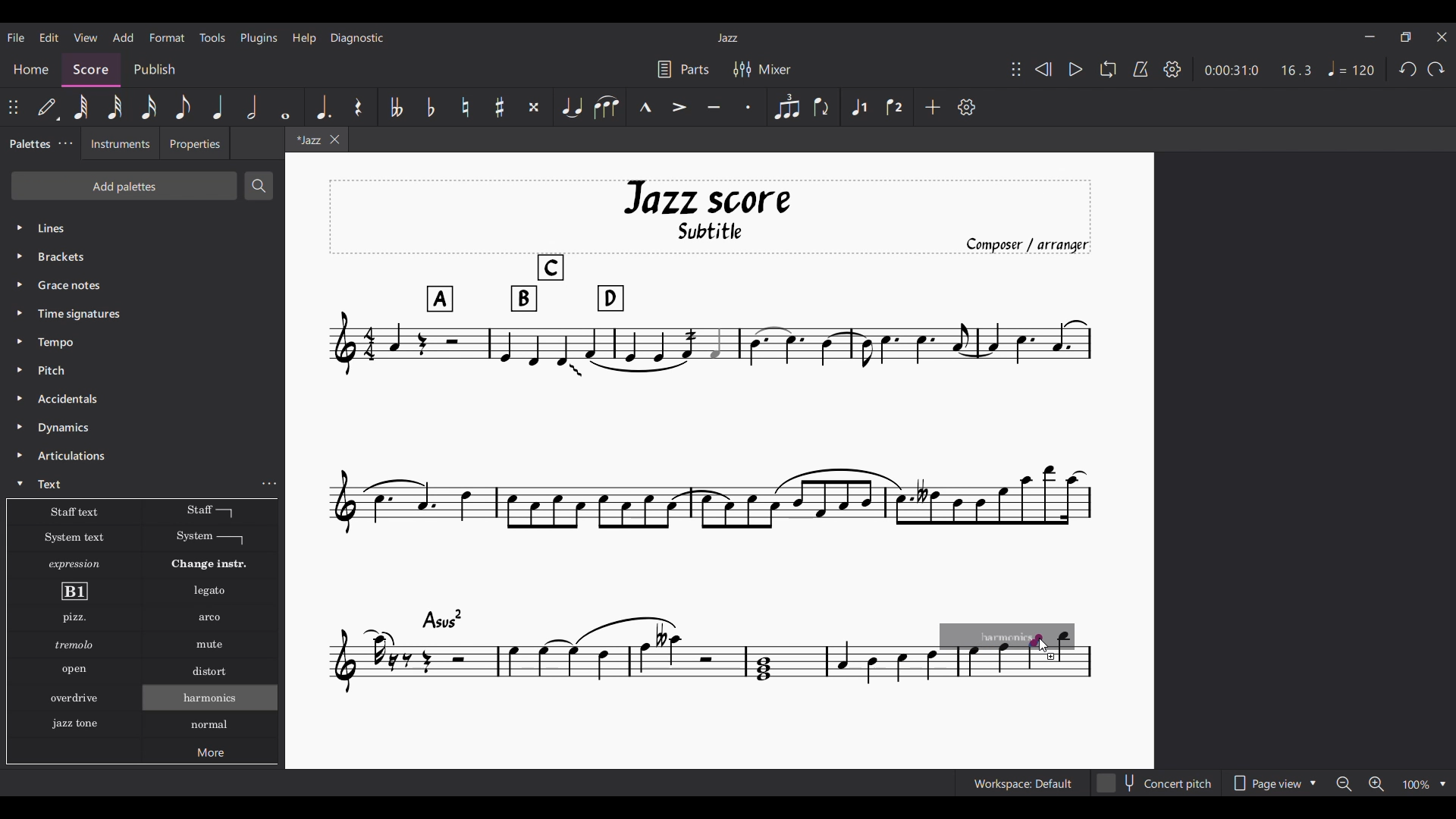 Image resolution: width=1456 pixels, height=819 pixels. I want to click on 64th note, so click(80, 107).